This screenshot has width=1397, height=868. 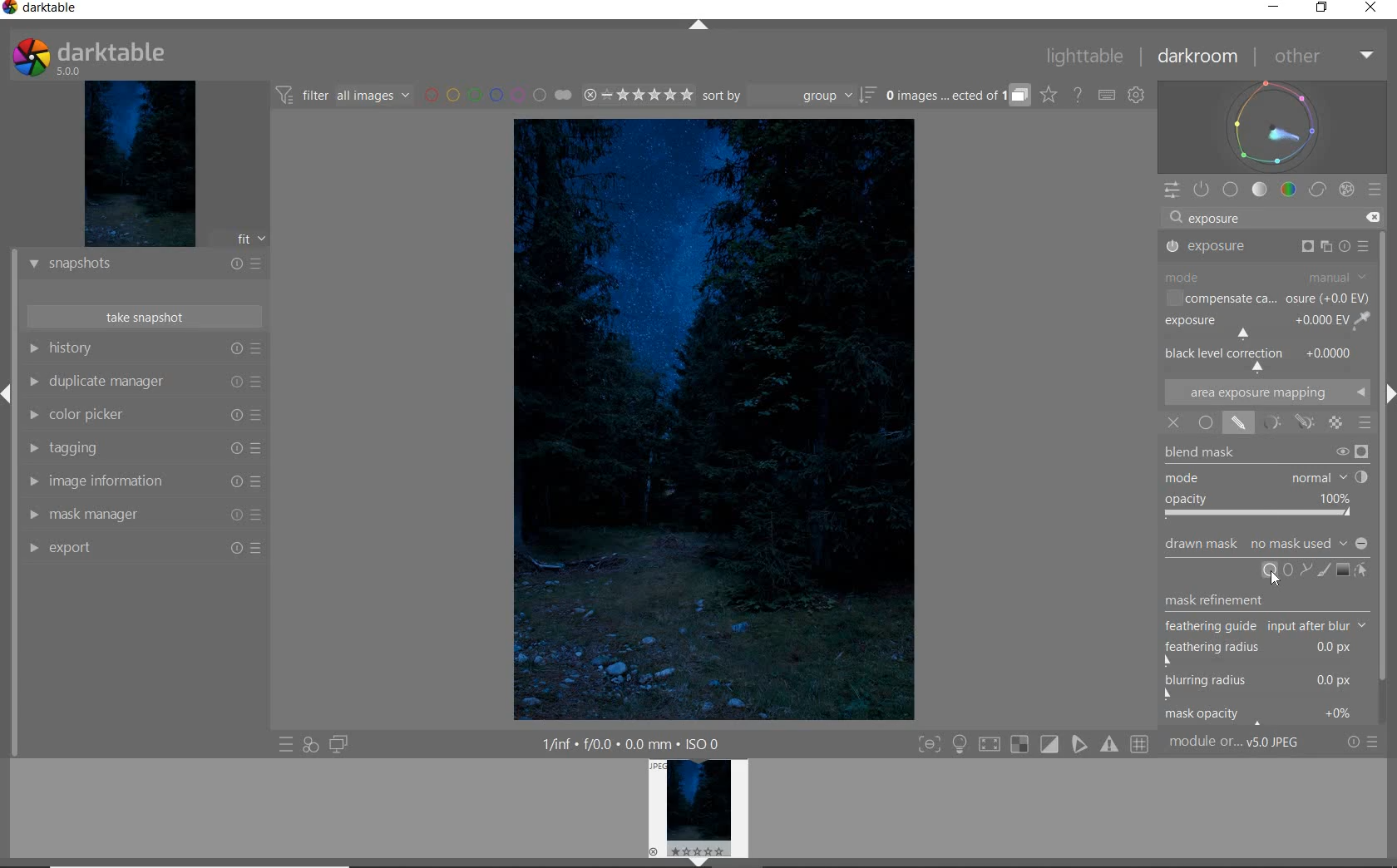 I want to click on BACK LEVEL CORRECTION, so click(x=1266, y=358).